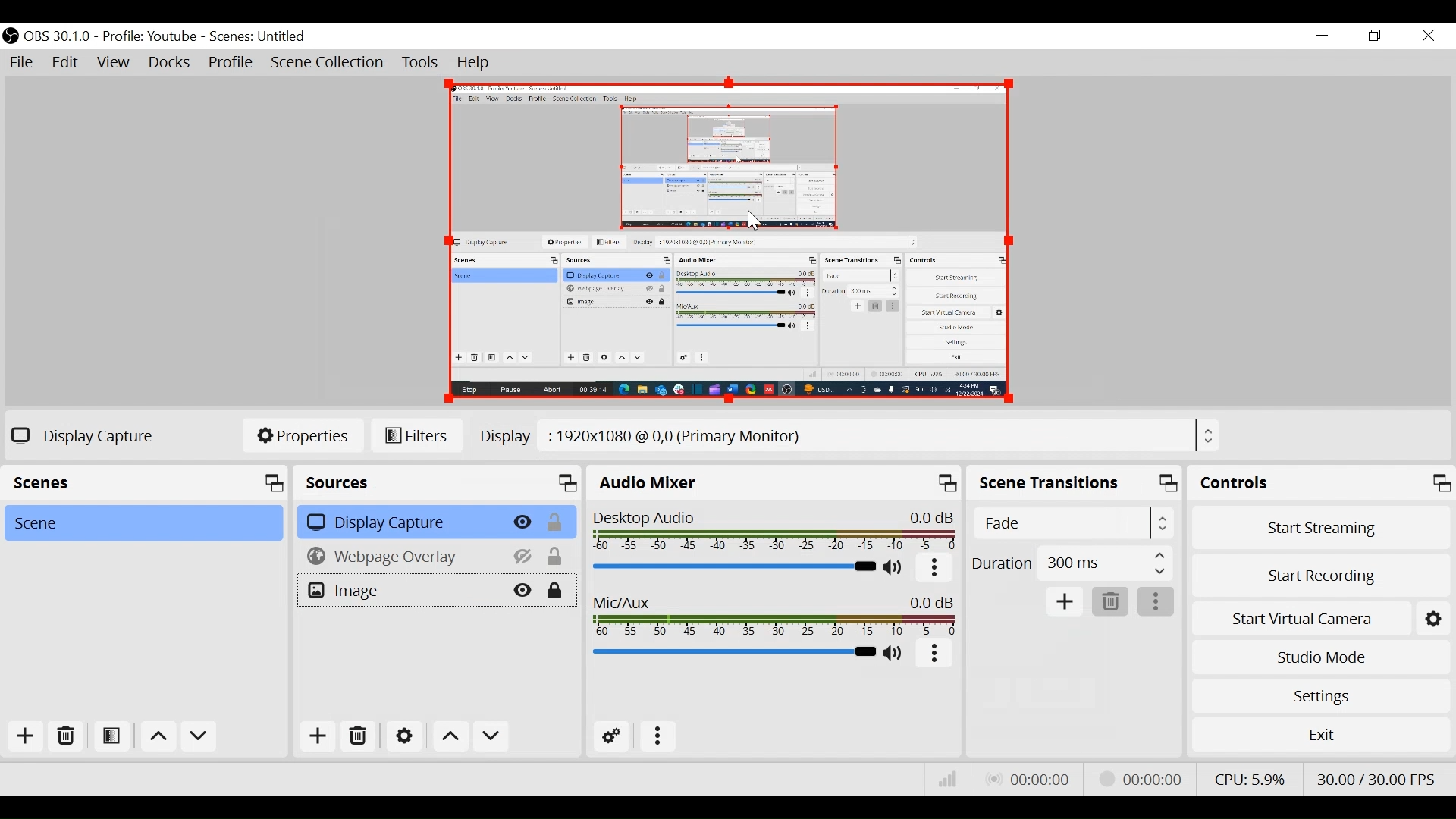 Image resolution: width=1456 pixels, height=819 pixels. Describe the element at coordinates (149, 37) in the screenshot. I see `Profile` at that location.